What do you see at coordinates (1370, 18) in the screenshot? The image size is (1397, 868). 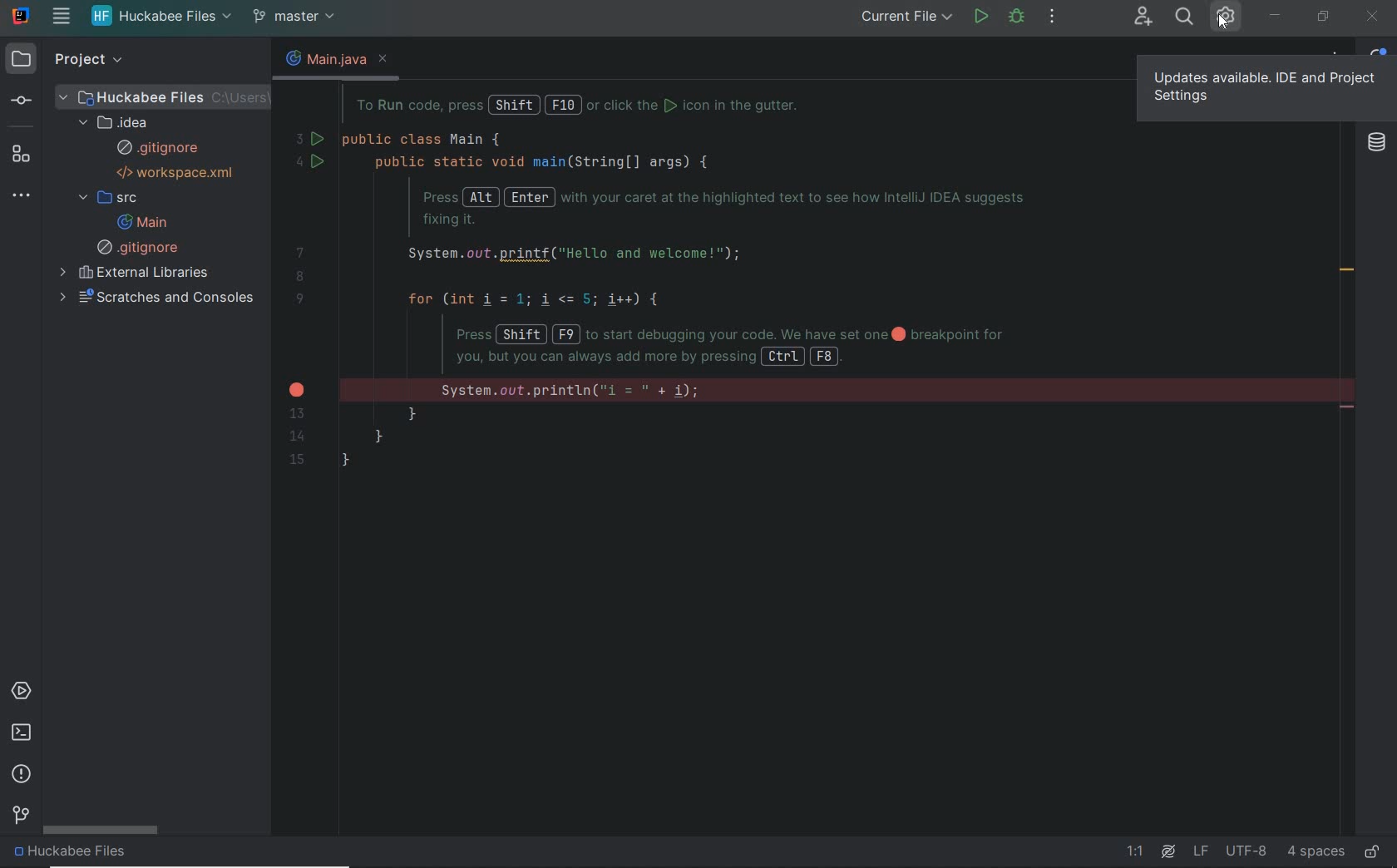 I see `close` at bounding box center [1370, 18].